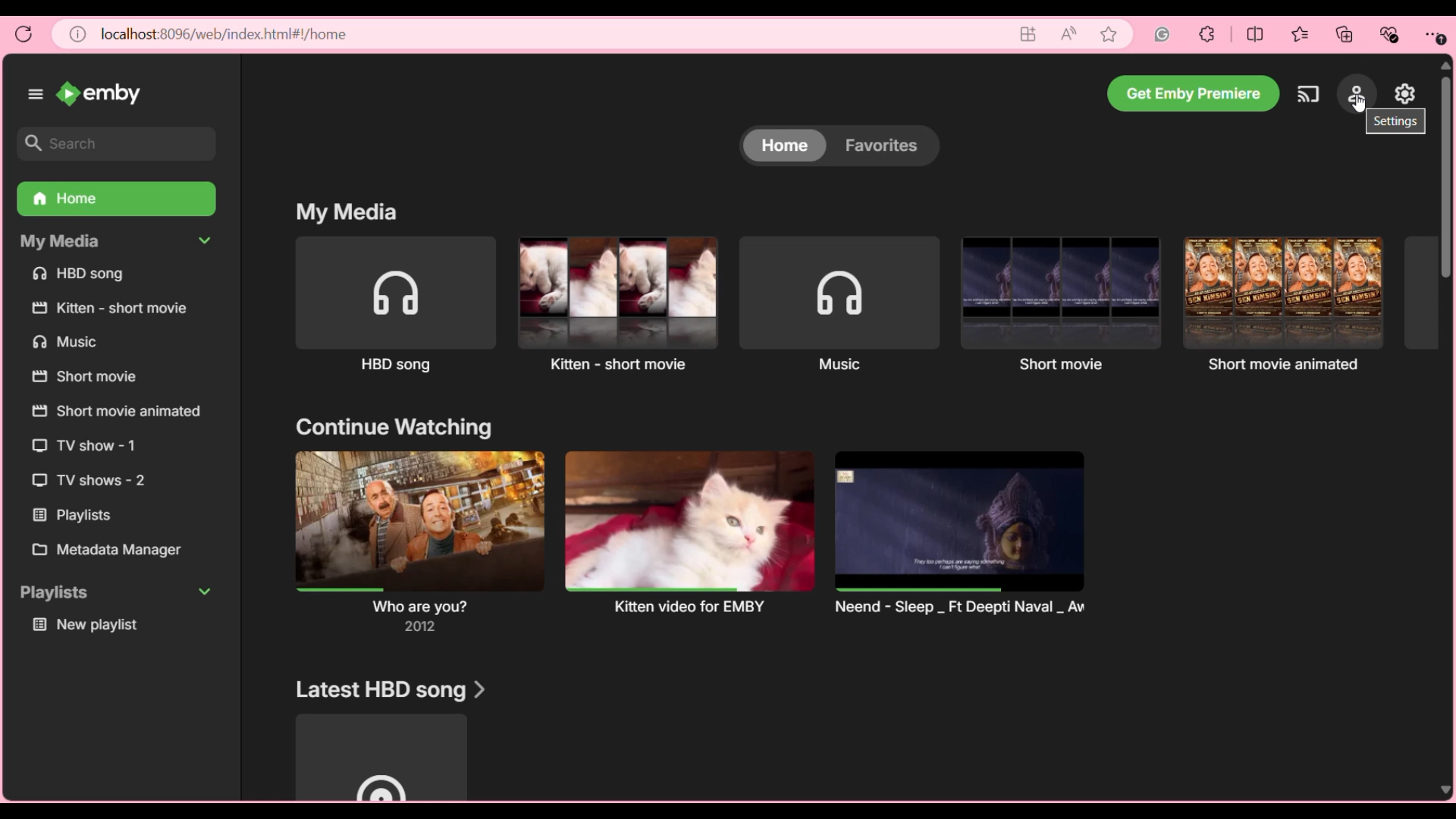 This screenshot has height=819, width=1456. Describe the element at coordinates (1068, 34) in the screenshot. I see `Read aloud page` at that location.